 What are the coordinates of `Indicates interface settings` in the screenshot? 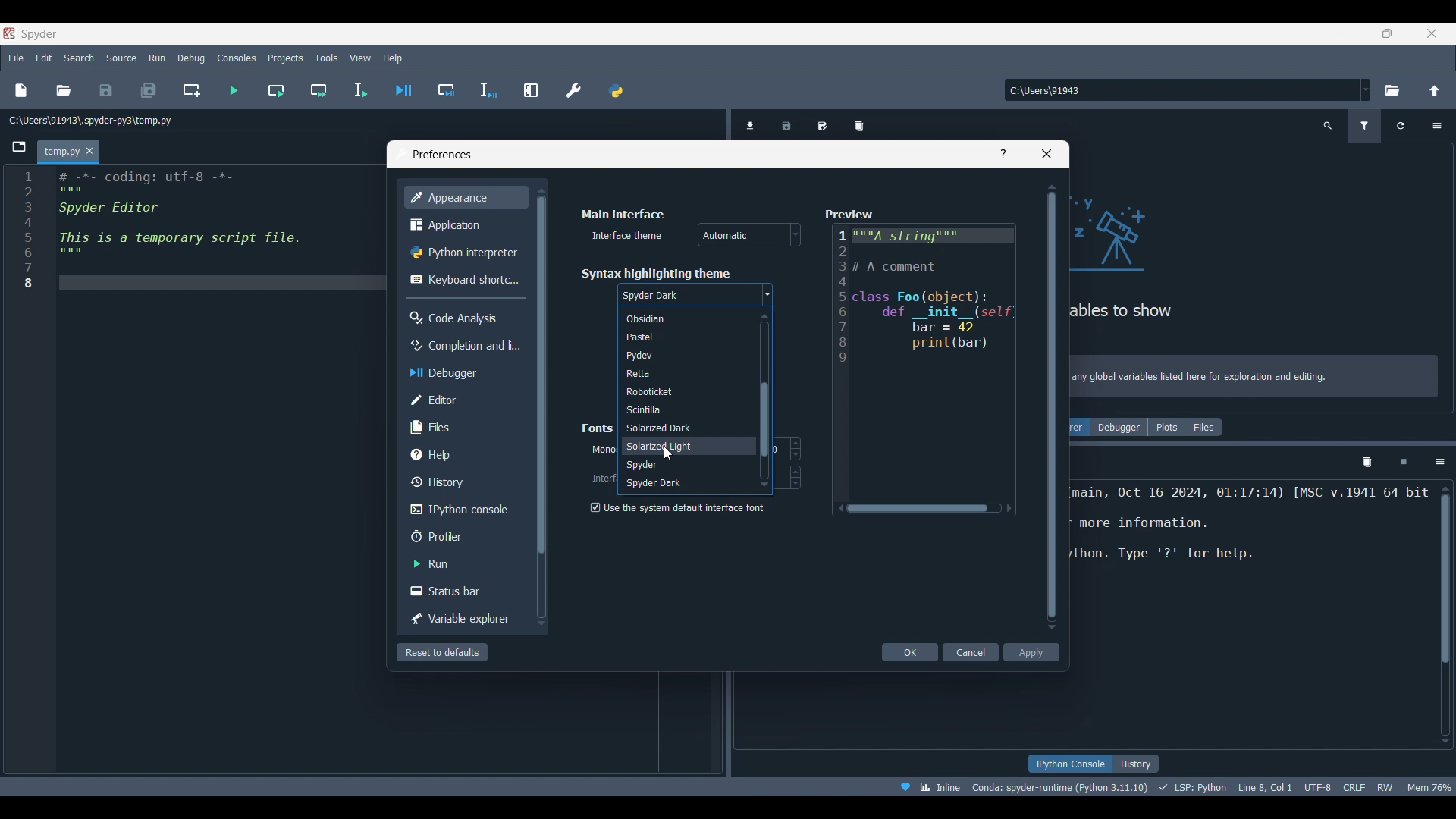 It's located at (602, 479).